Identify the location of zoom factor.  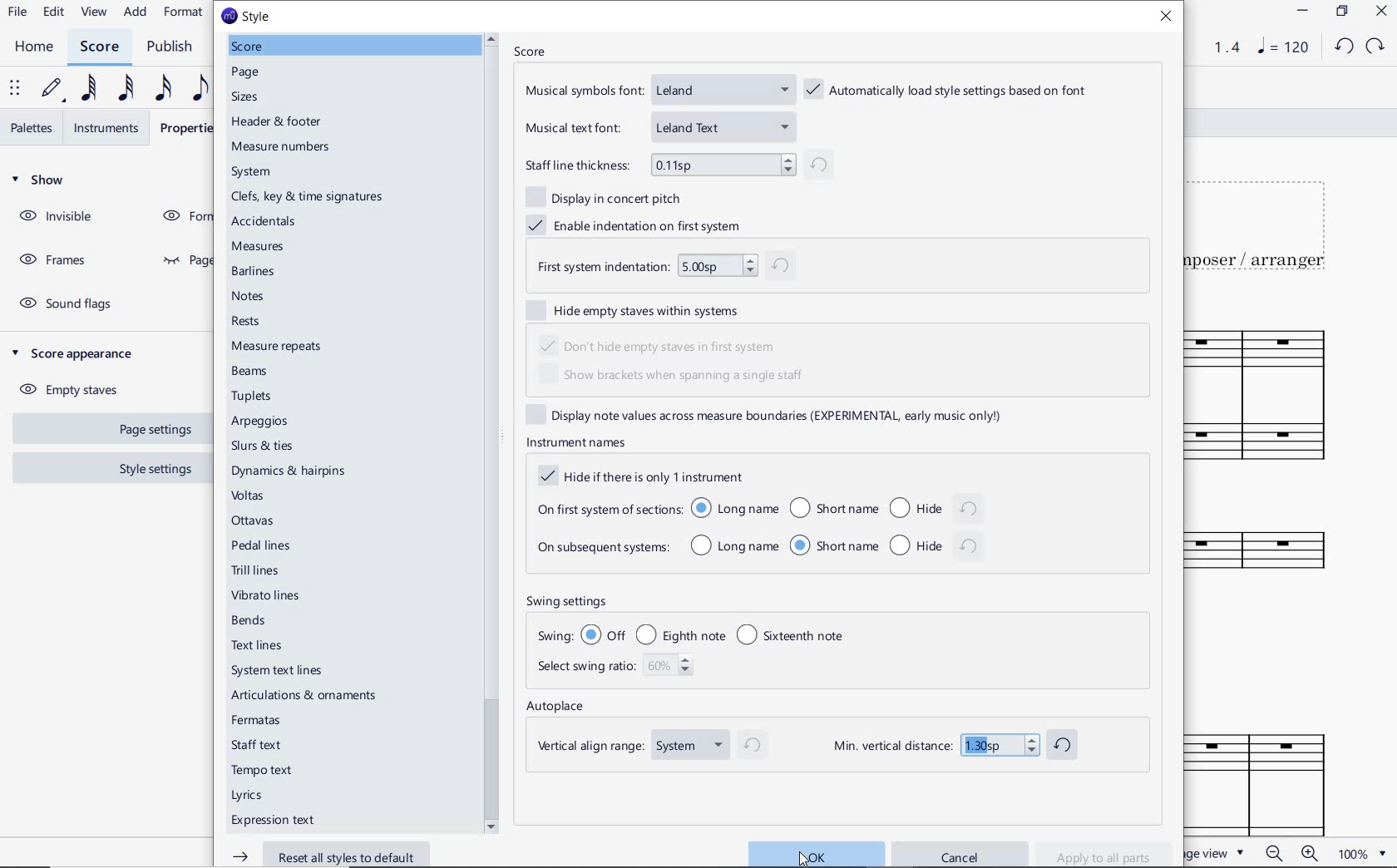
(1360, 853).